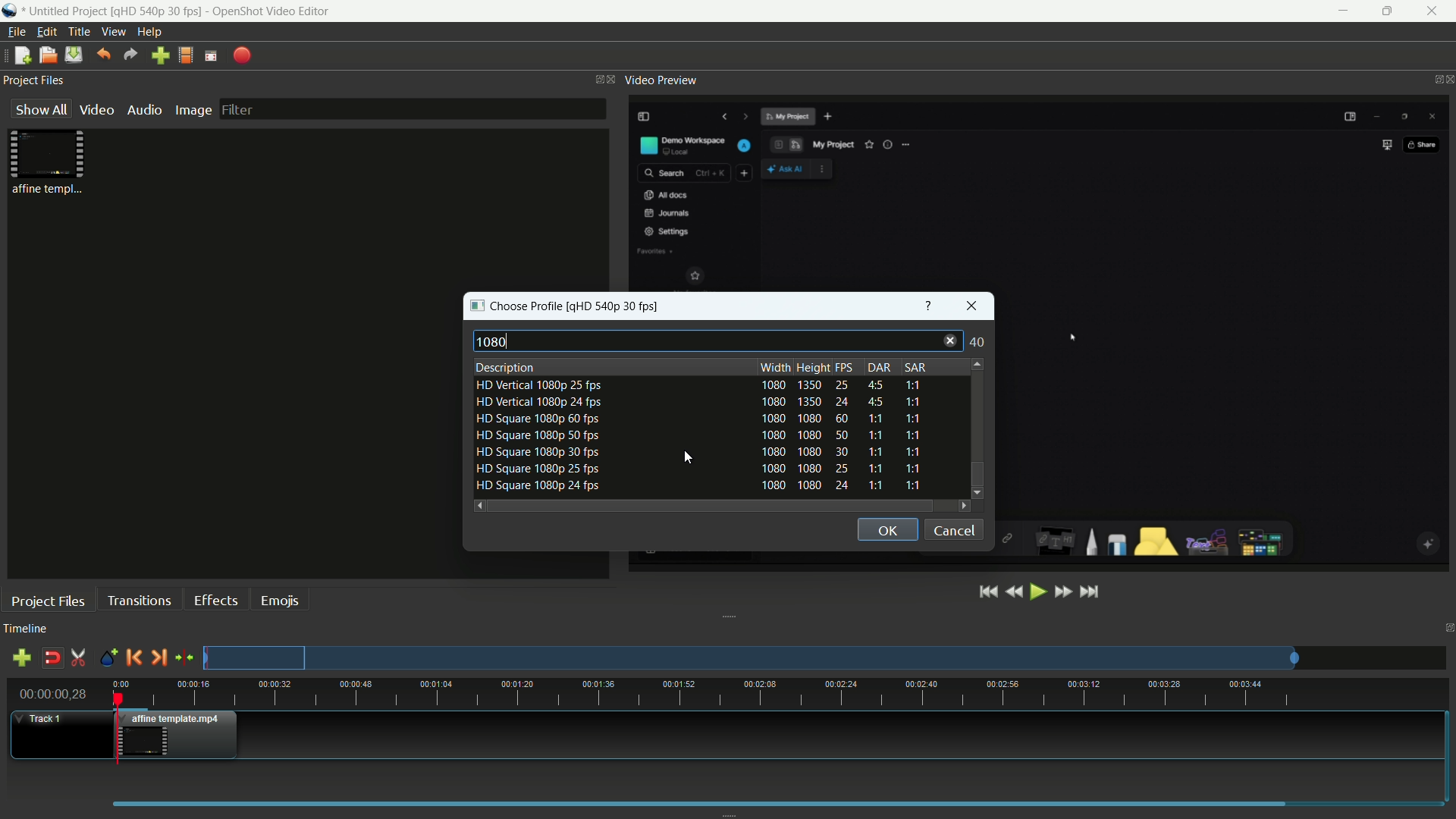 This screenshot has height=819, width=1456. What do you see at coordinates (700, 386) in the screenshot?
I see `profile-1` at bounding box center [700, 386].